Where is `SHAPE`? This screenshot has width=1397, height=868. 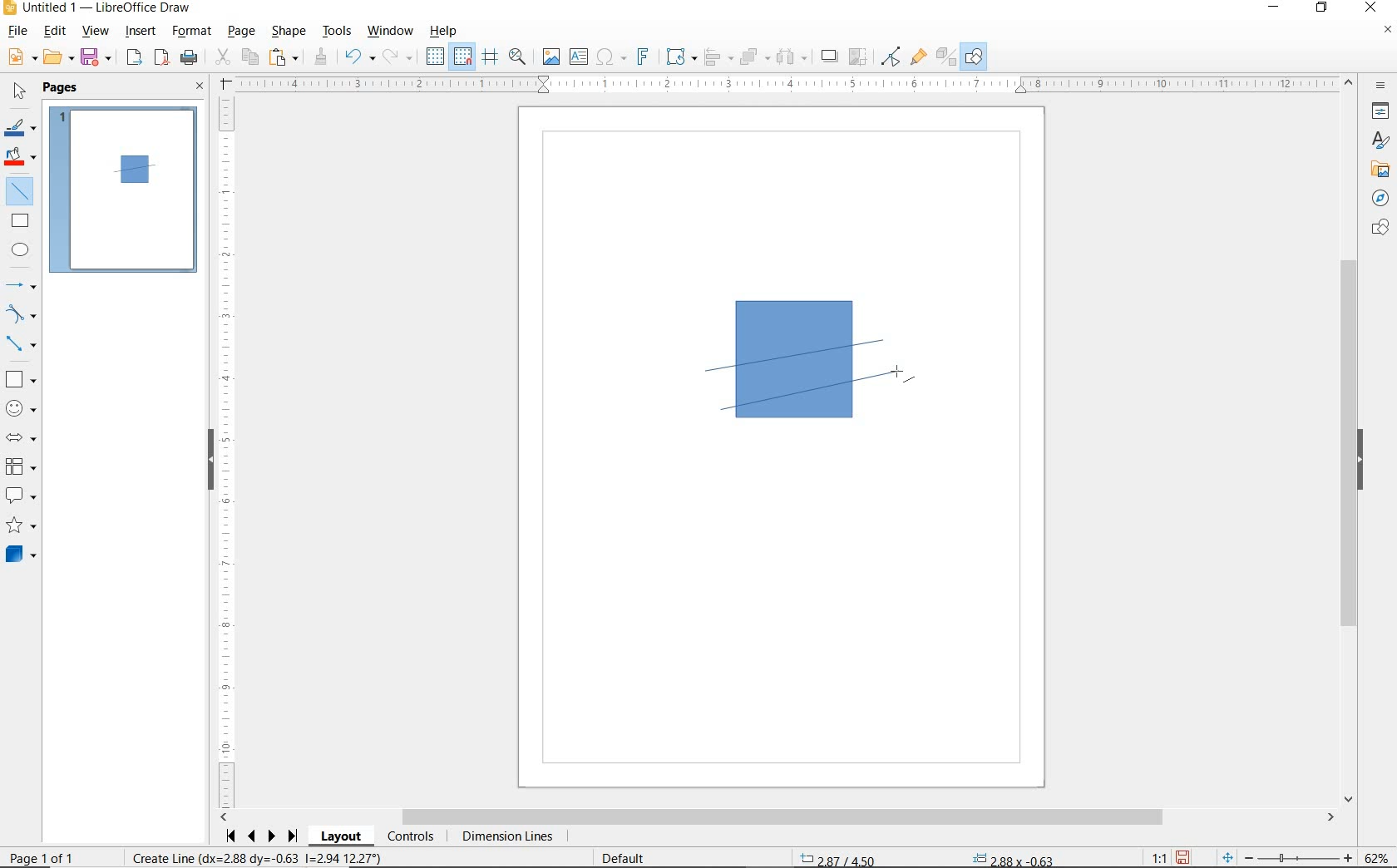
SHAPE is located at coordinates (289, 32).